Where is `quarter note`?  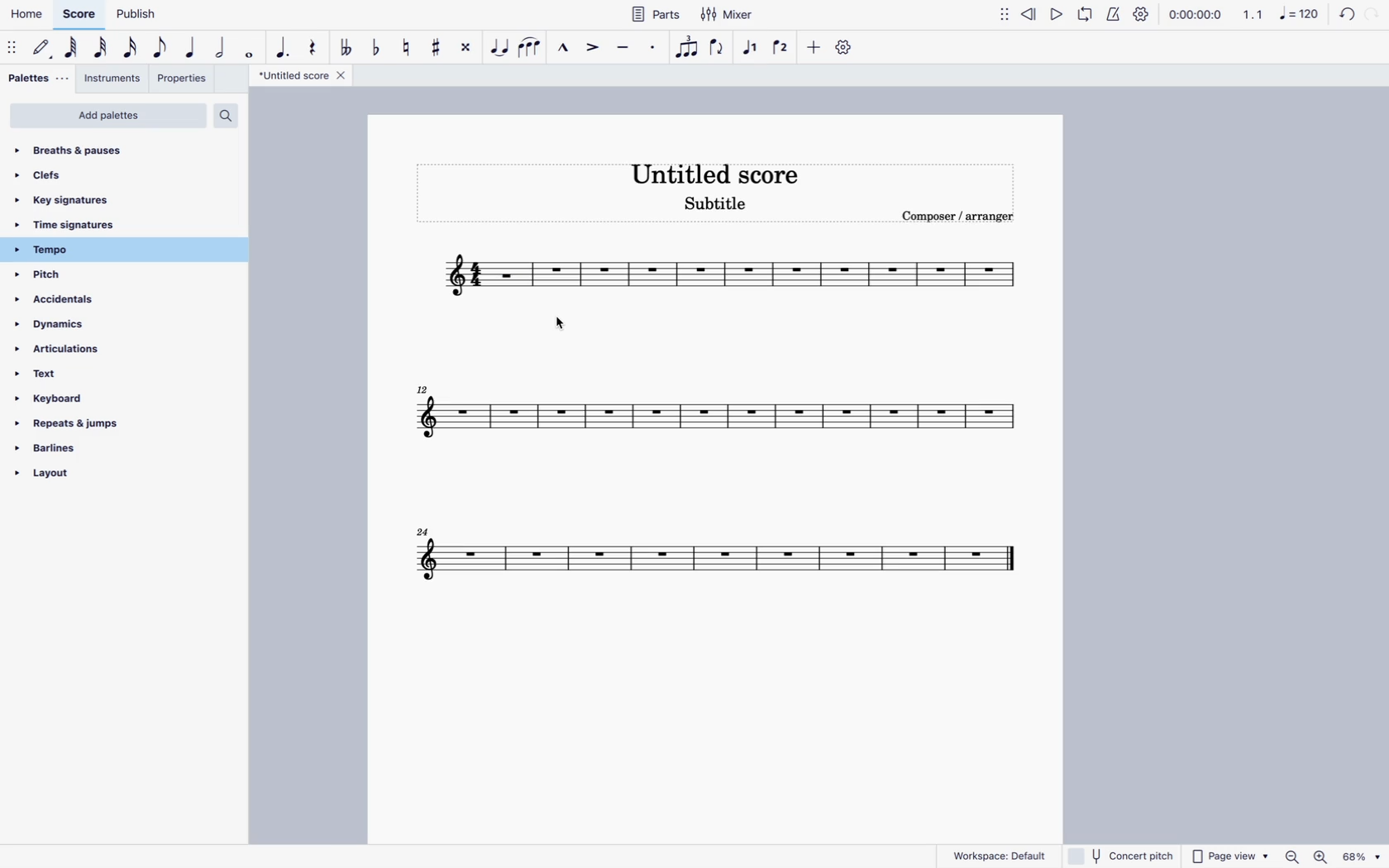
quarter note is located at coordinates (191, 48).